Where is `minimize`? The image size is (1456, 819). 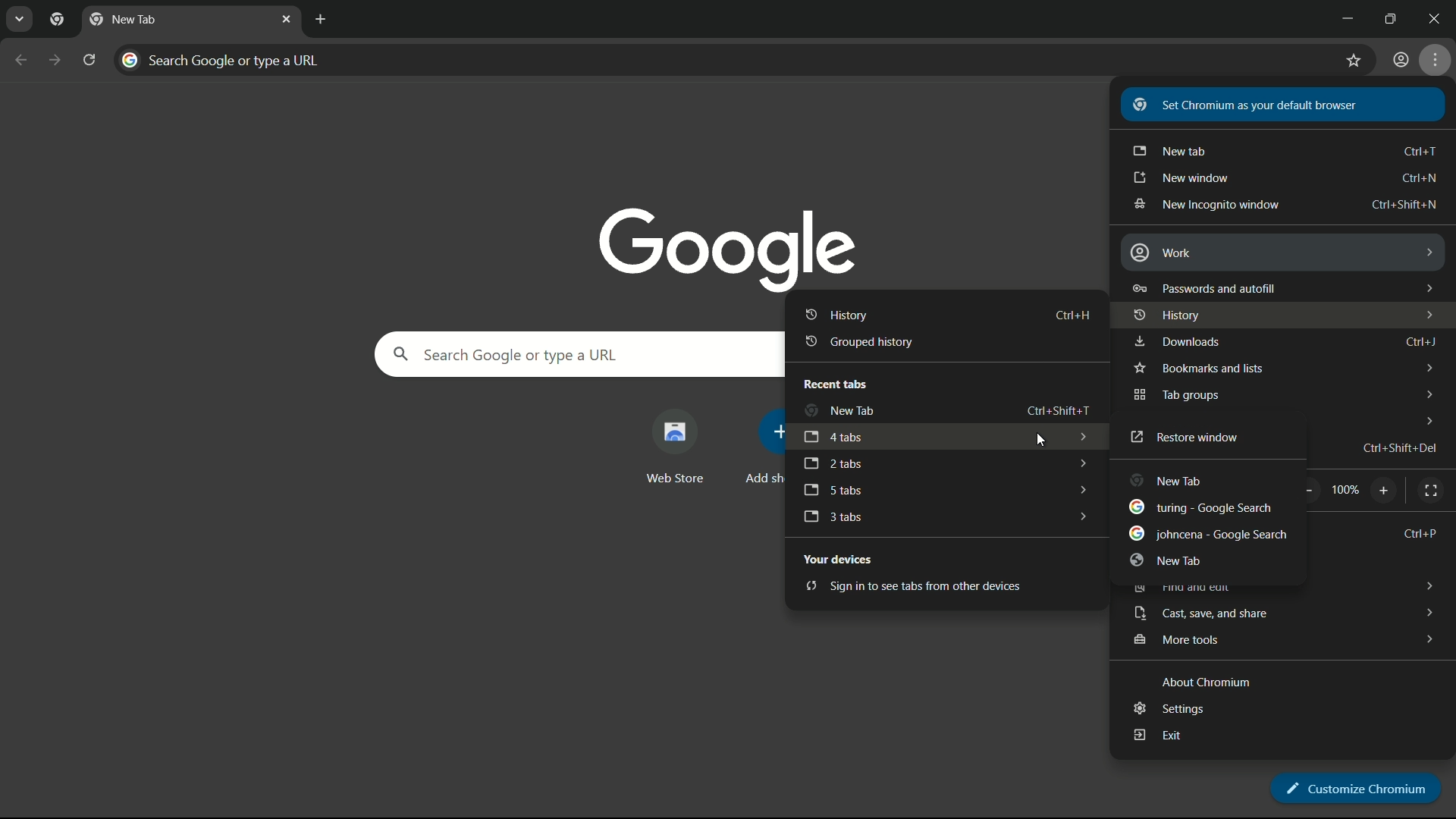 minimize is located at coordinates (1348, 17).